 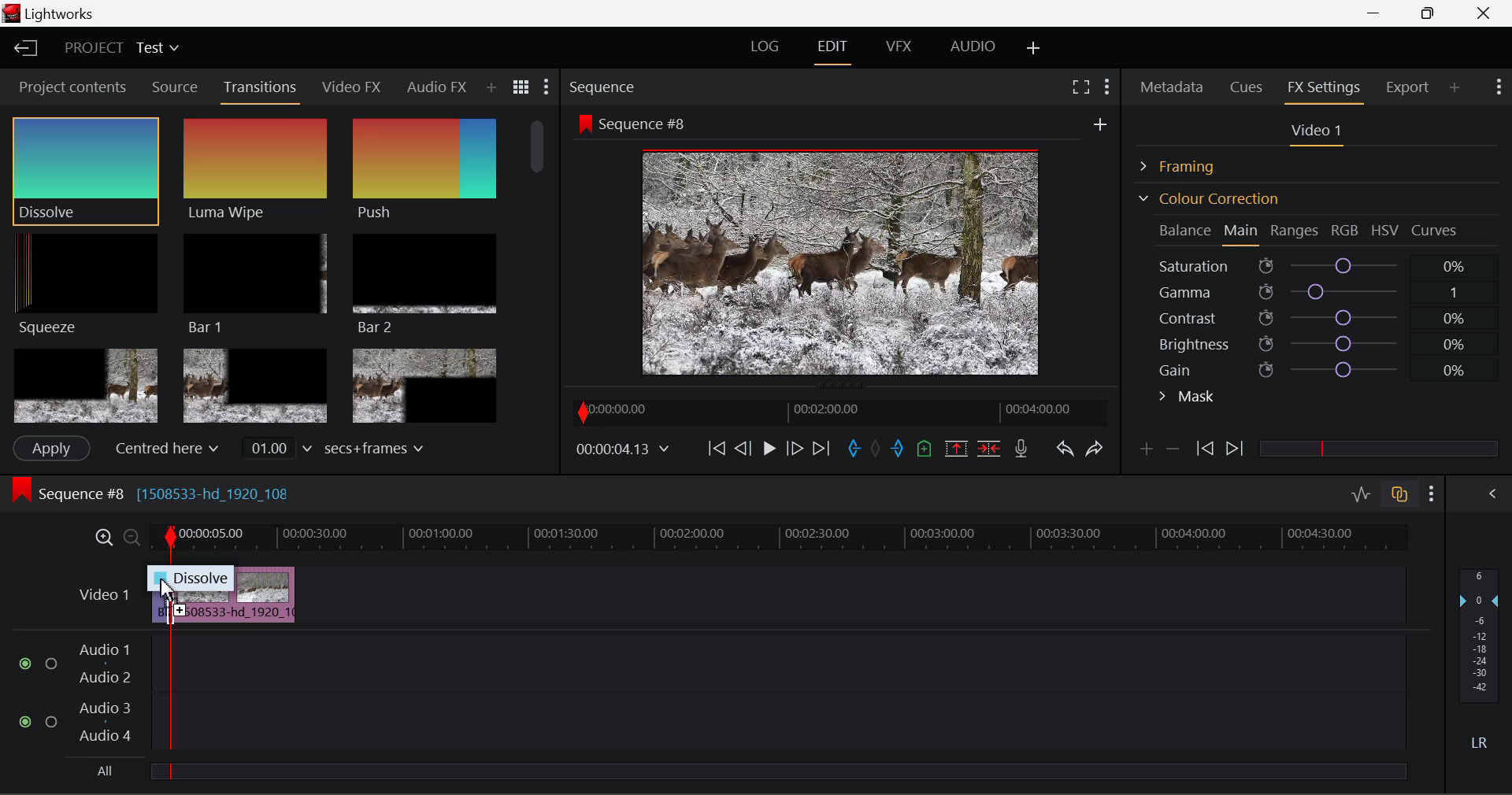 What do you see at coordinates (53, 15) in the screenshot?
I see `Window Title` at bounding box center [53, 15].